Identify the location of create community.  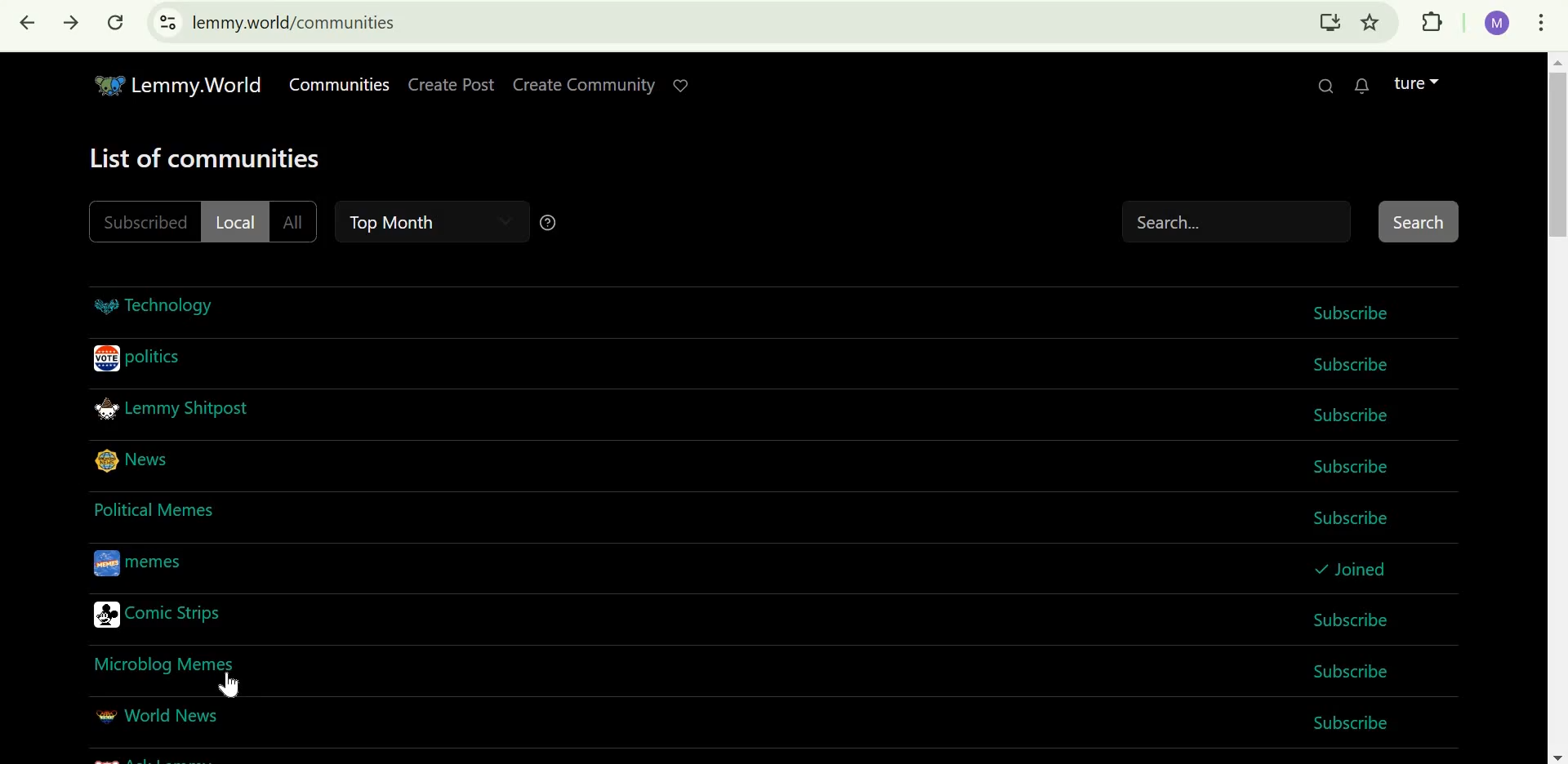
(581, 83).